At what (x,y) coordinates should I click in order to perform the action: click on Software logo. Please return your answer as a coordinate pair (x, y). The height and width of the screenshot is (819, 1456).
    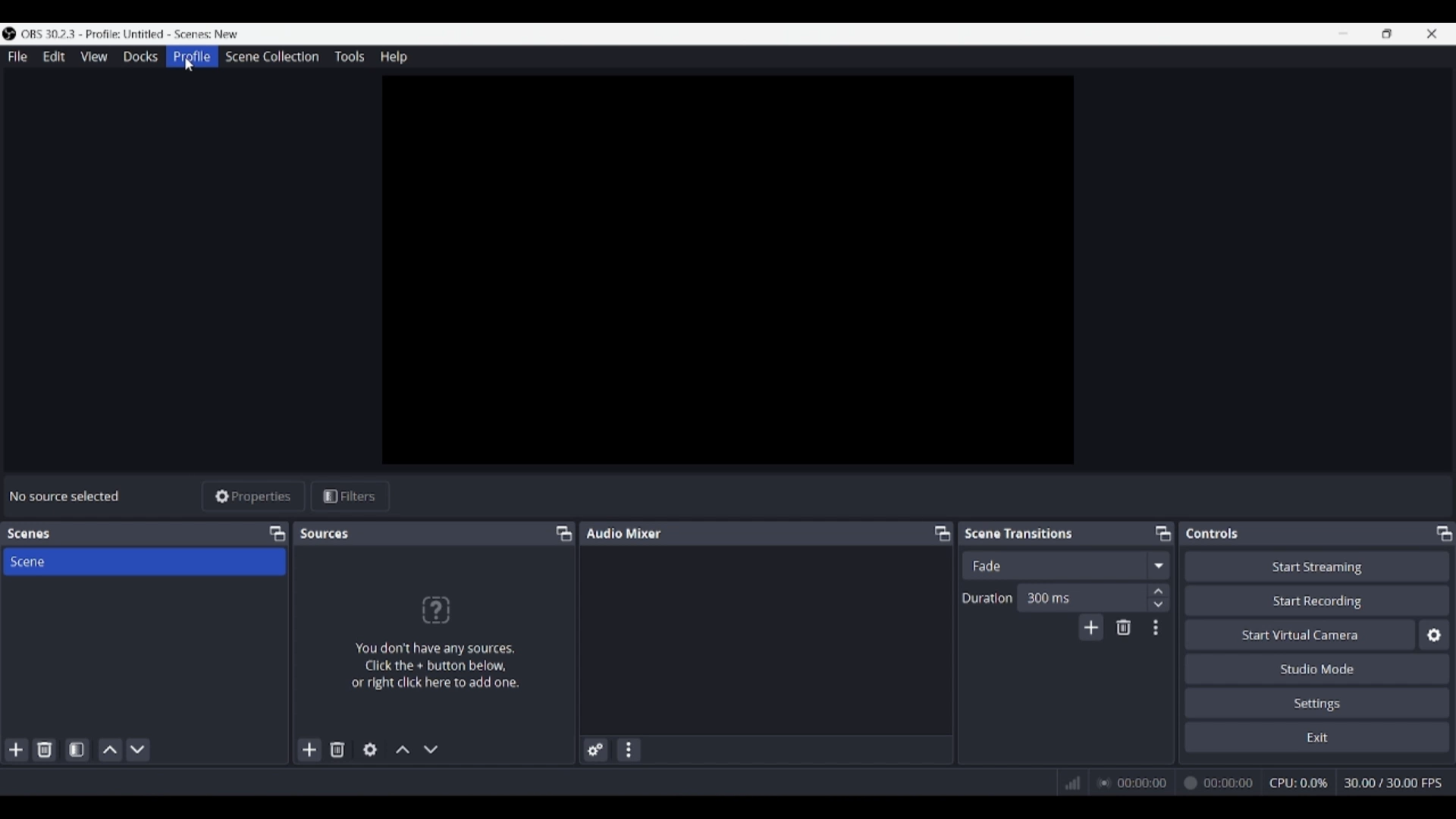
    Looking at the image, I should click on (9, 33).